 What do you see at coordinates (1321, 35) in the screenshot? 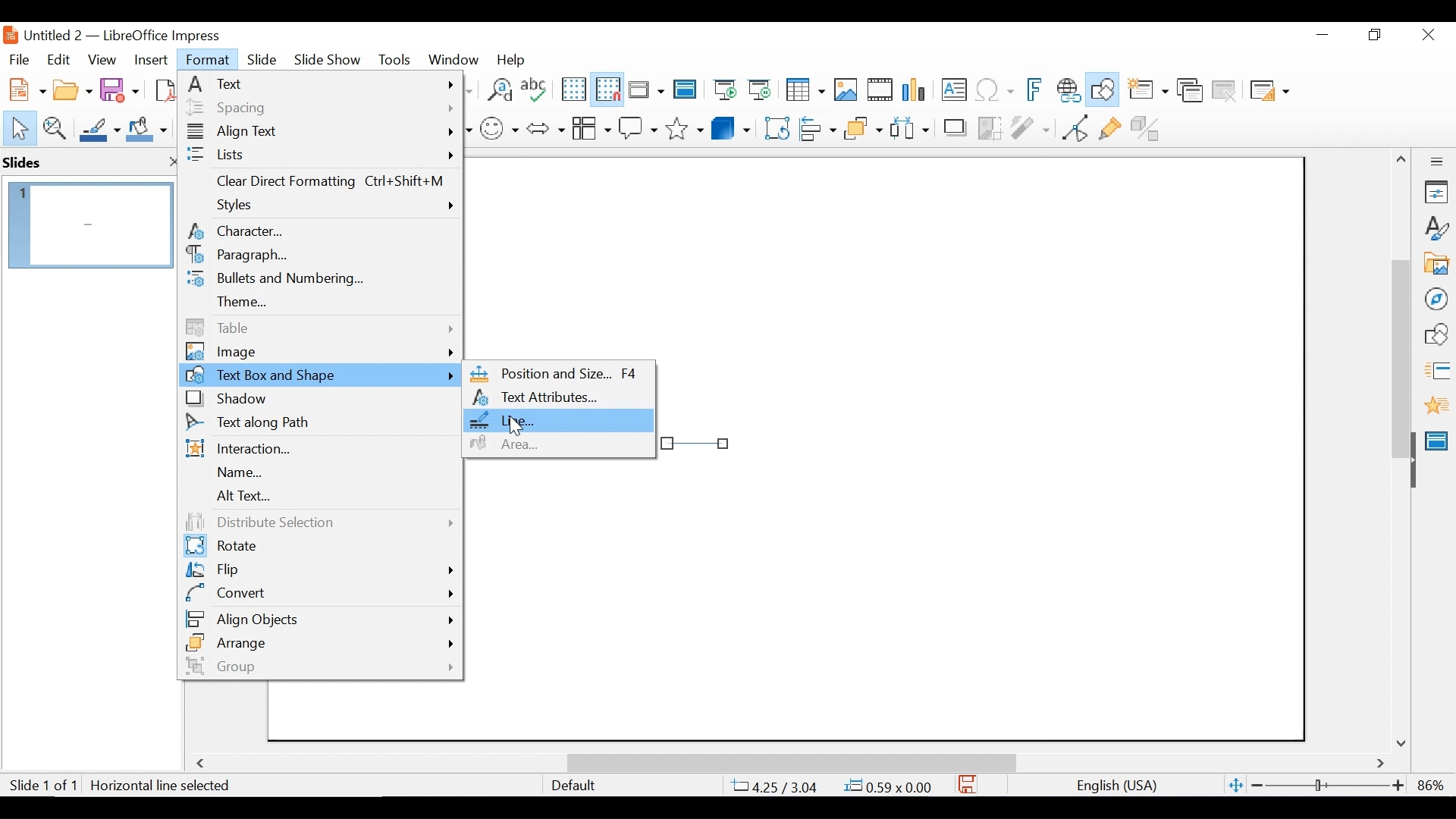
I see `Minimize` at bounding box center [1321, 35].